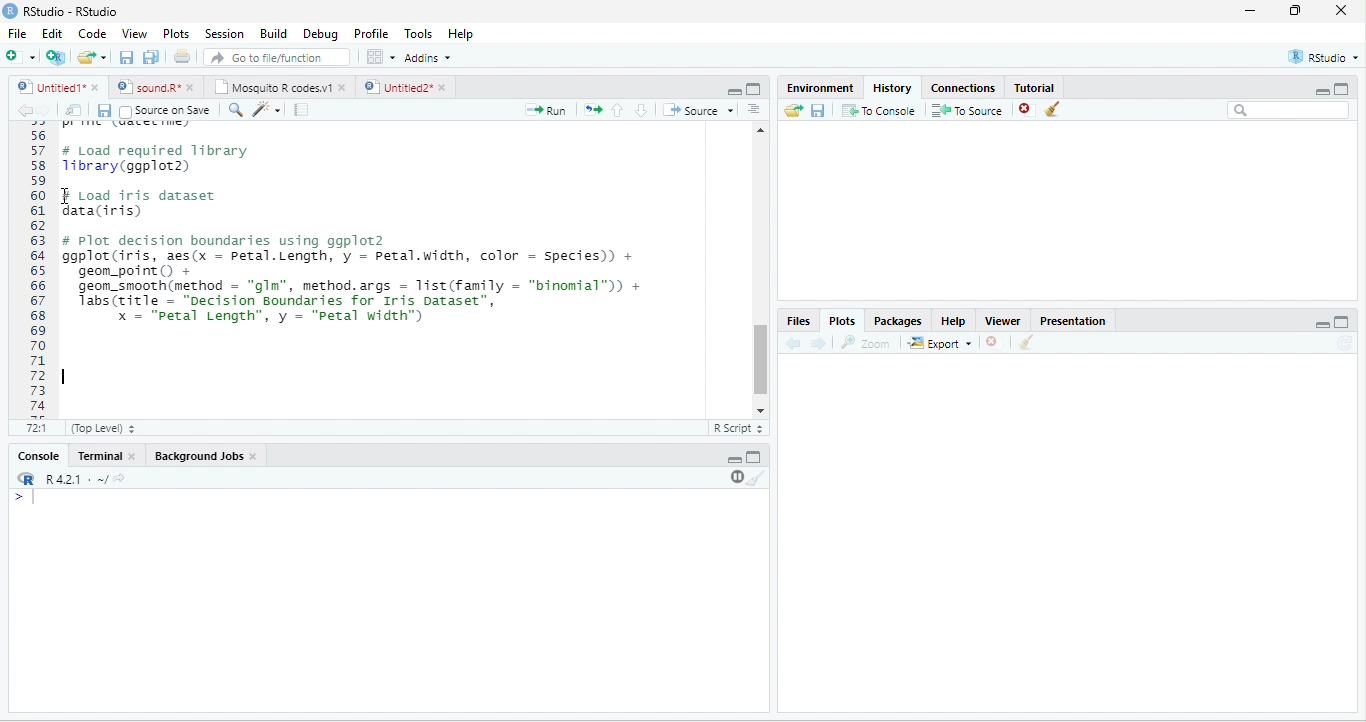  Describe the element at coordinates (954, 321) in the screenshot. I see `Help` at that location.